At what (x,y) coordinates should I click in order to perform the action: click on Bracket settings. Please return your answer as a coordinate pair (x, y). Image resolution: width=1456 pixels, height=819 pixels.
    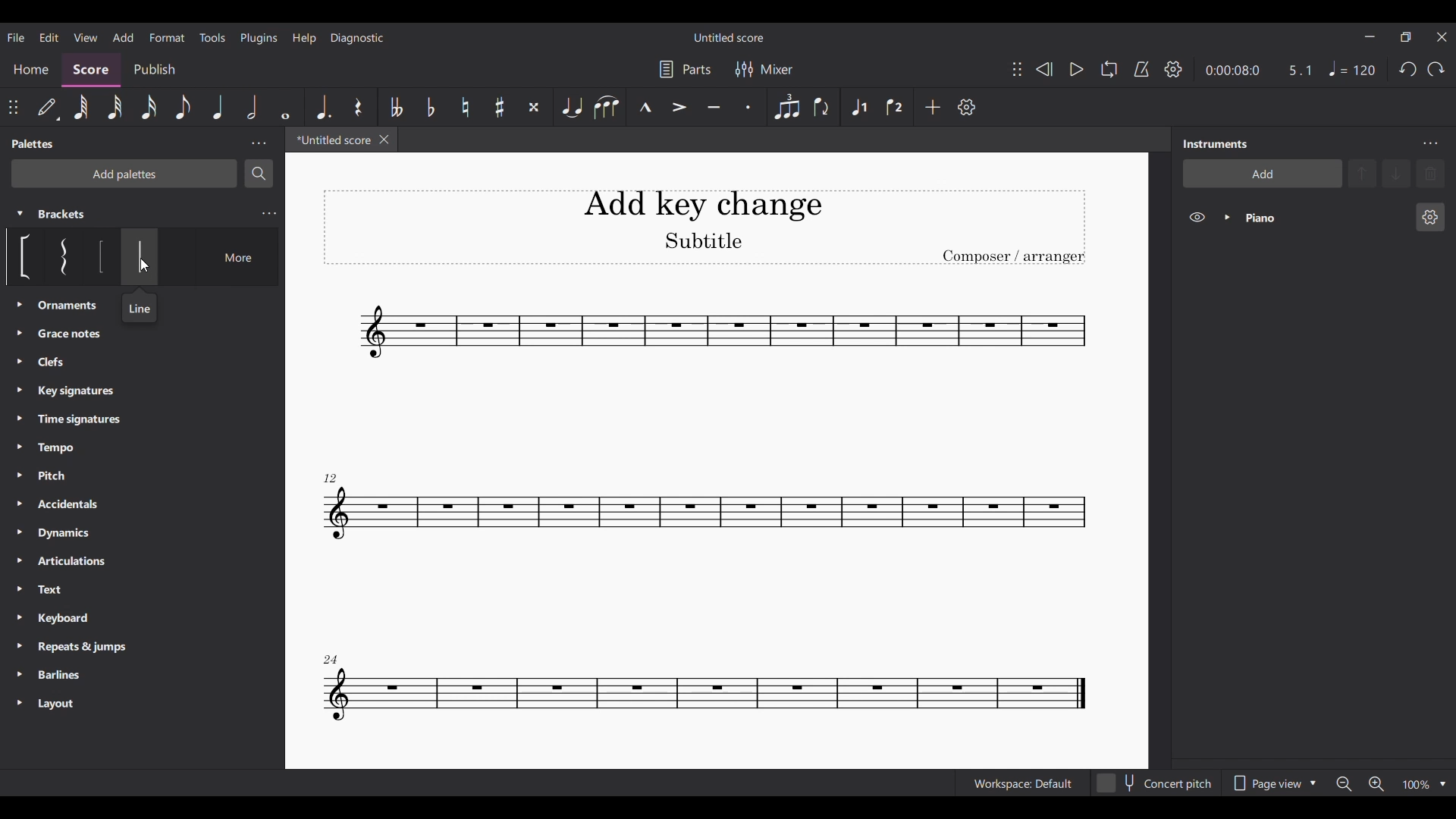
    Looking at the image, I should click on (269, 214).